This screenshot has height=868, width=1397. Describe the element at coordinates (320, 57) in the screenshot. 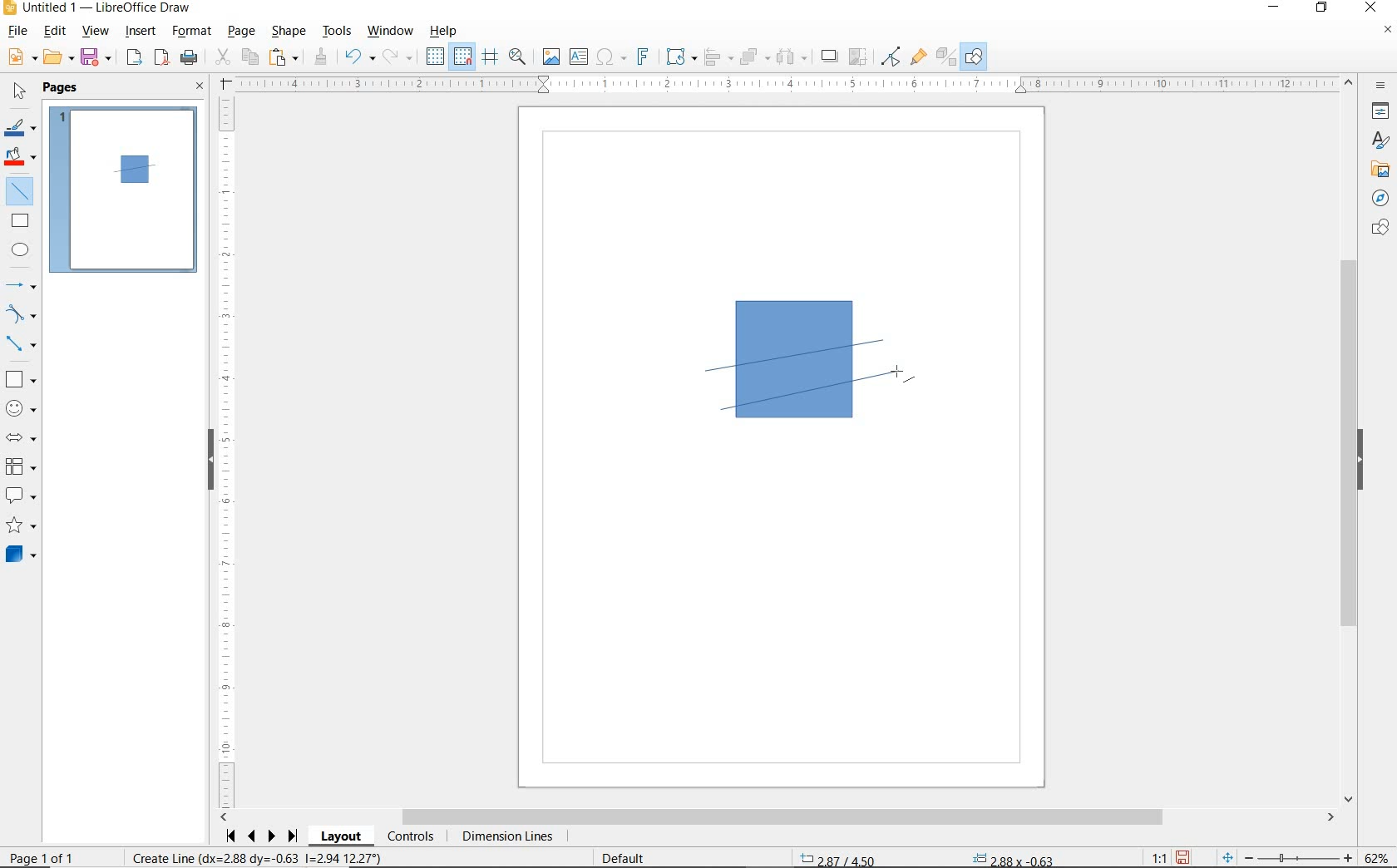

I see `CLONE FORMATTING` at that location.